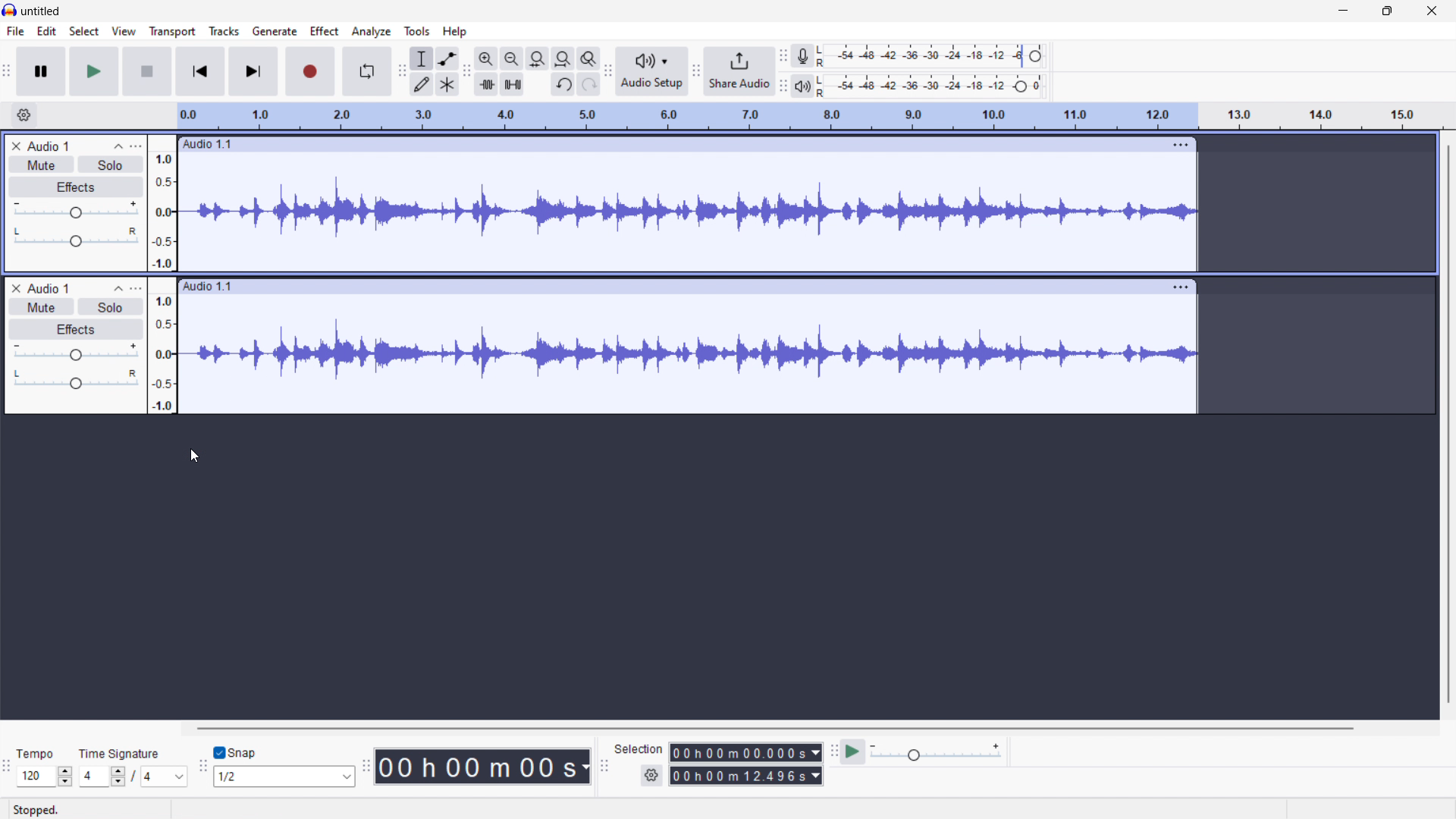  Describe the element at coordinates (33, 754) in the screenshot. I see `Tempo` at that location.